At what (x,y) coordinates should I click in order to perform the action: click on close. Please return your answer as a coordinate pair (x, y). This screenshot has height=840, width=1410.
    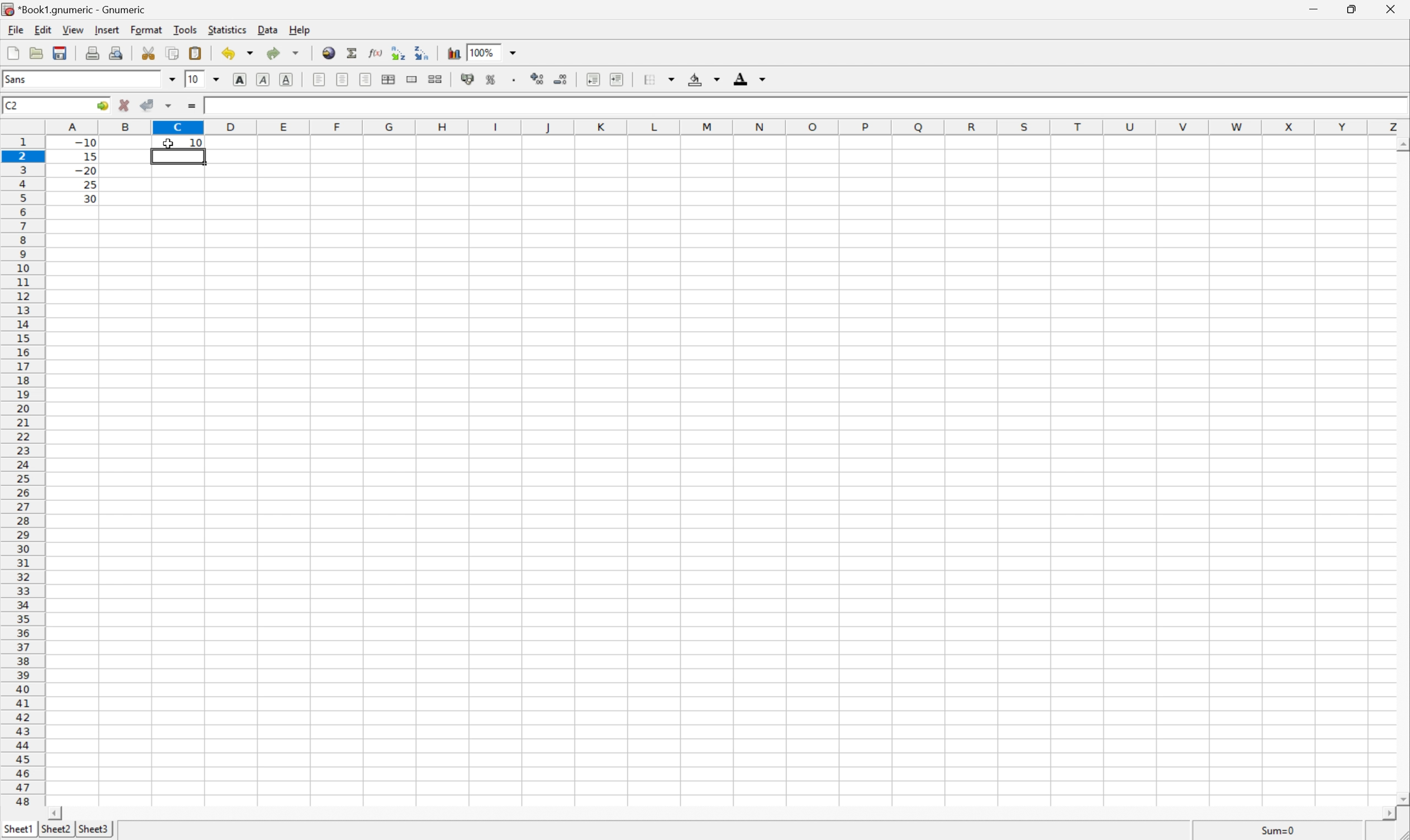
    Looking at the image, I should click on (1389, 11).